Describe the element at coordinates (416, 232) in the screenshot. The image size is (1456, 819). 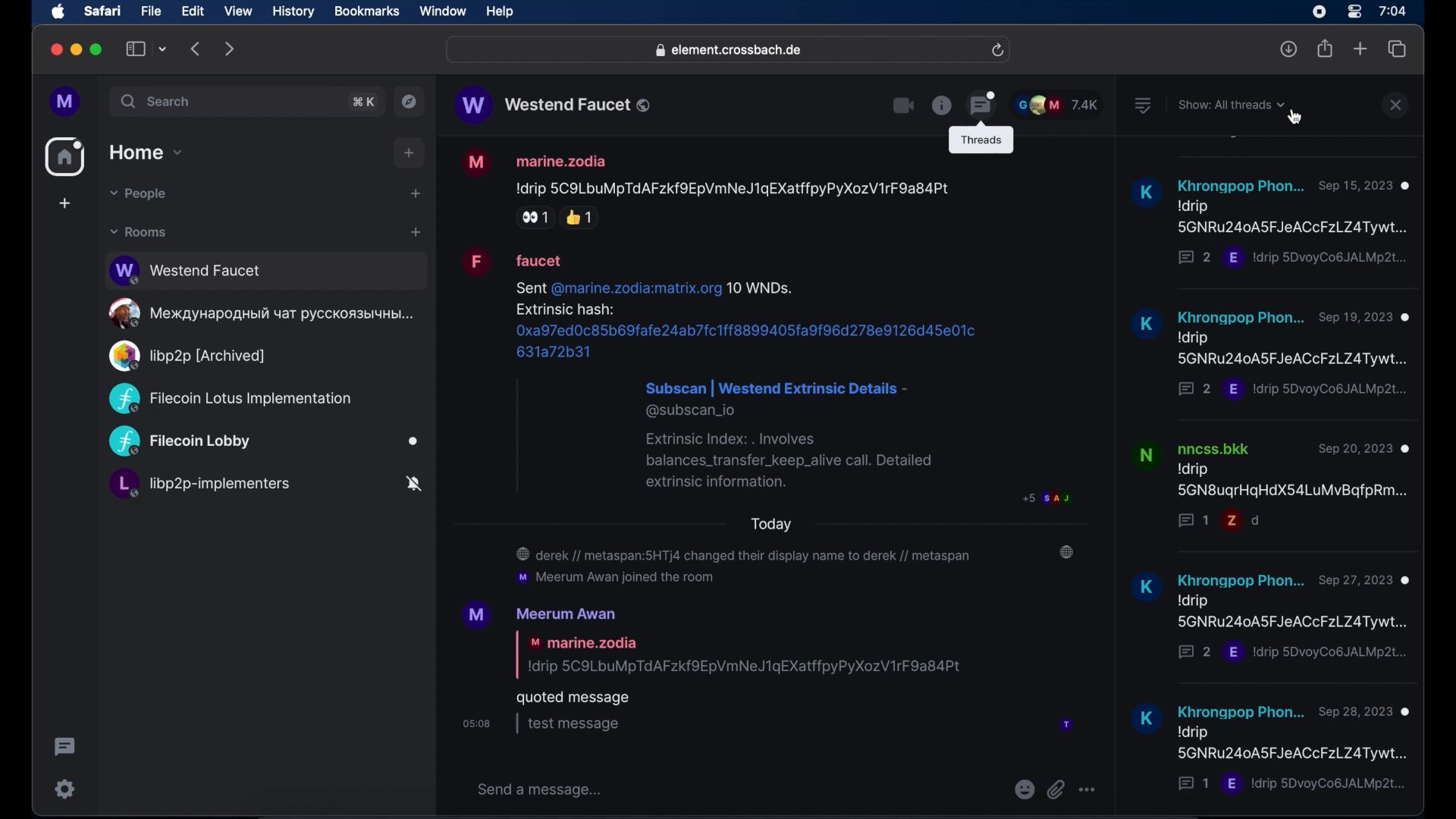
I see `add ` at that location.